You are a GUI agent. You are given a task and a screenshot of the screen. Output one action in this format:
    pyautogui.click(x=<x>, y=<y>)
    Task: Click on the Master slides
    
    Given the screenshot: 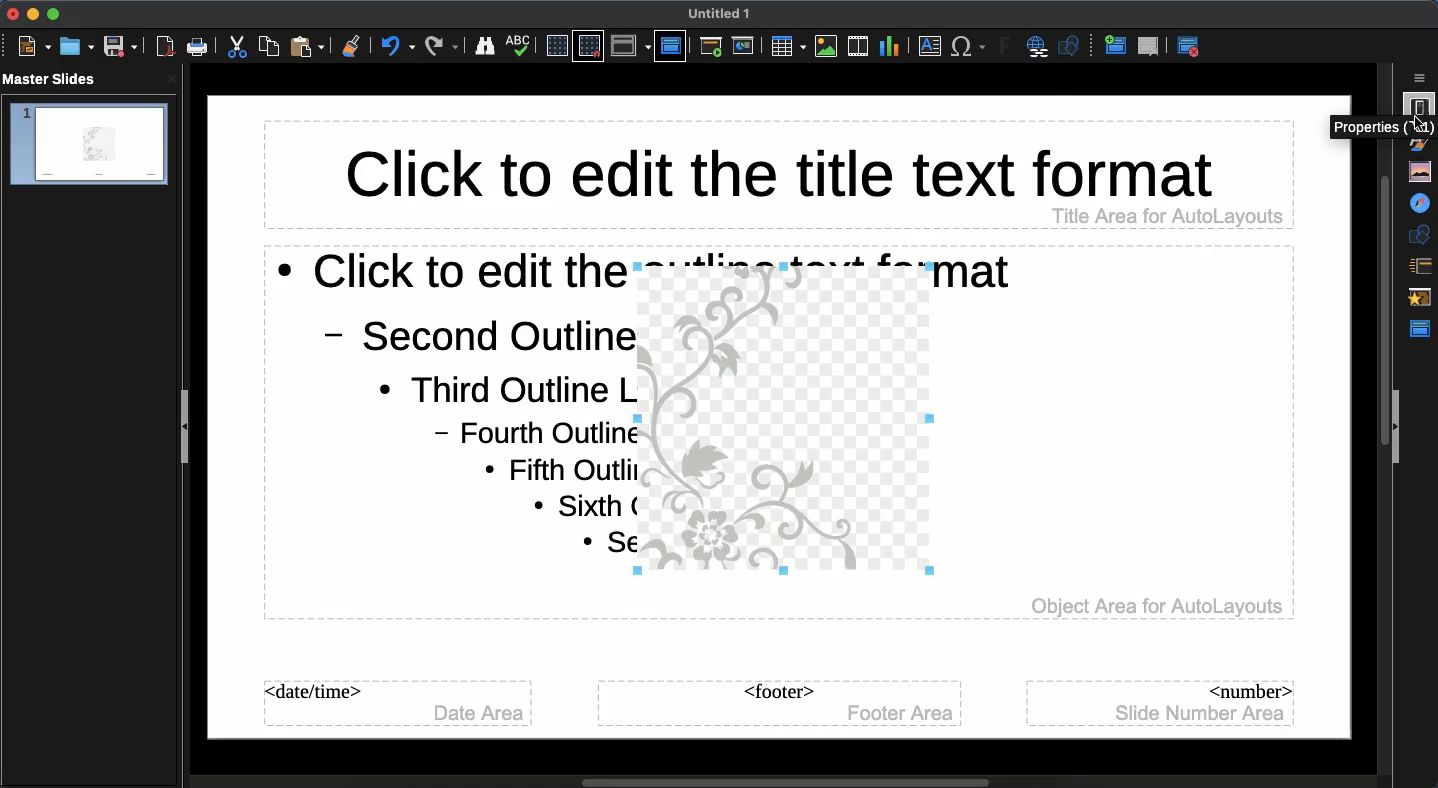 What is the action you would take?
    pyautogui.click(x=56, y=80)
    